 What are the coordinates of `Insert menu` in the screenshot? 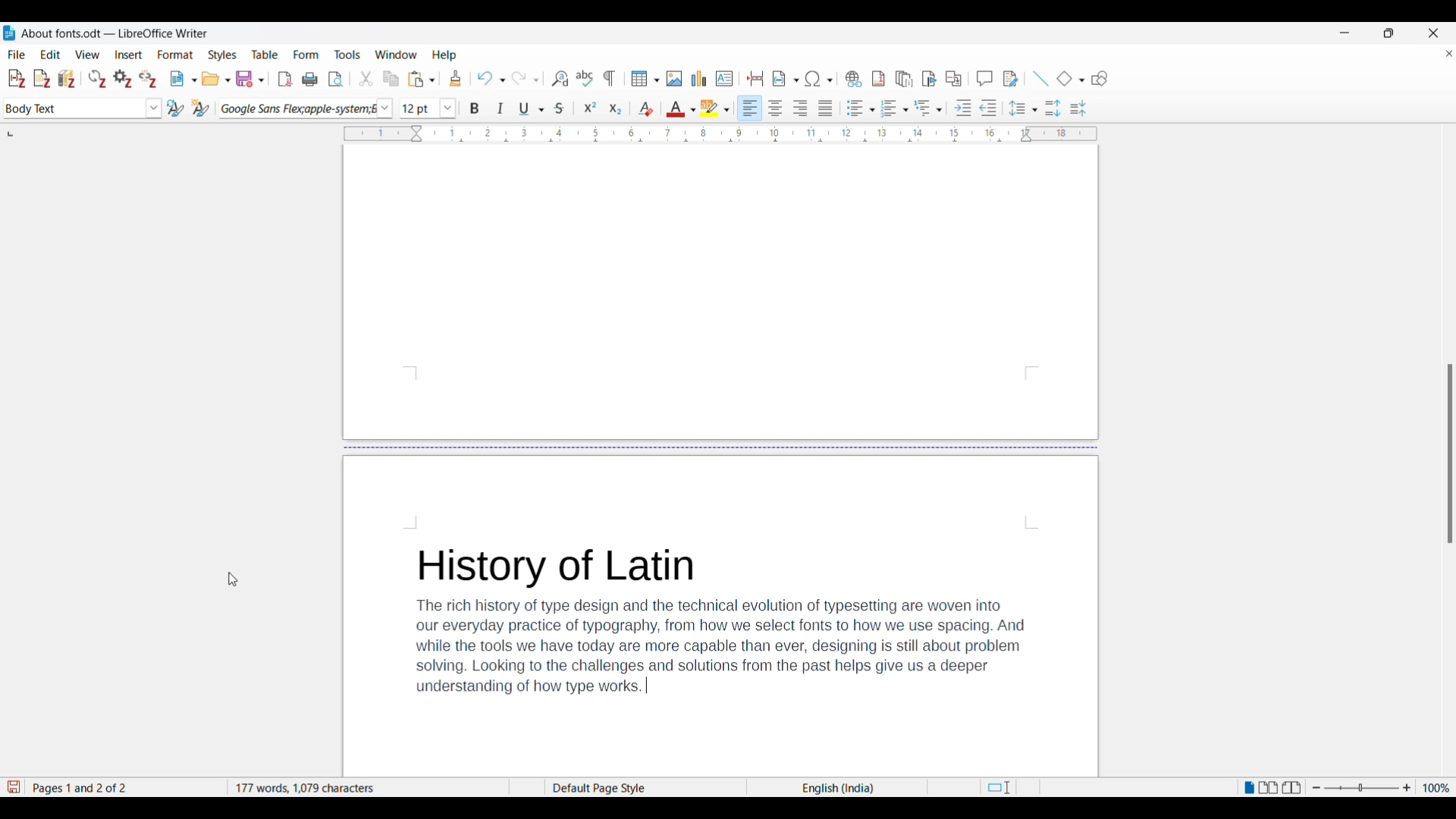 It's located at (129, 55).